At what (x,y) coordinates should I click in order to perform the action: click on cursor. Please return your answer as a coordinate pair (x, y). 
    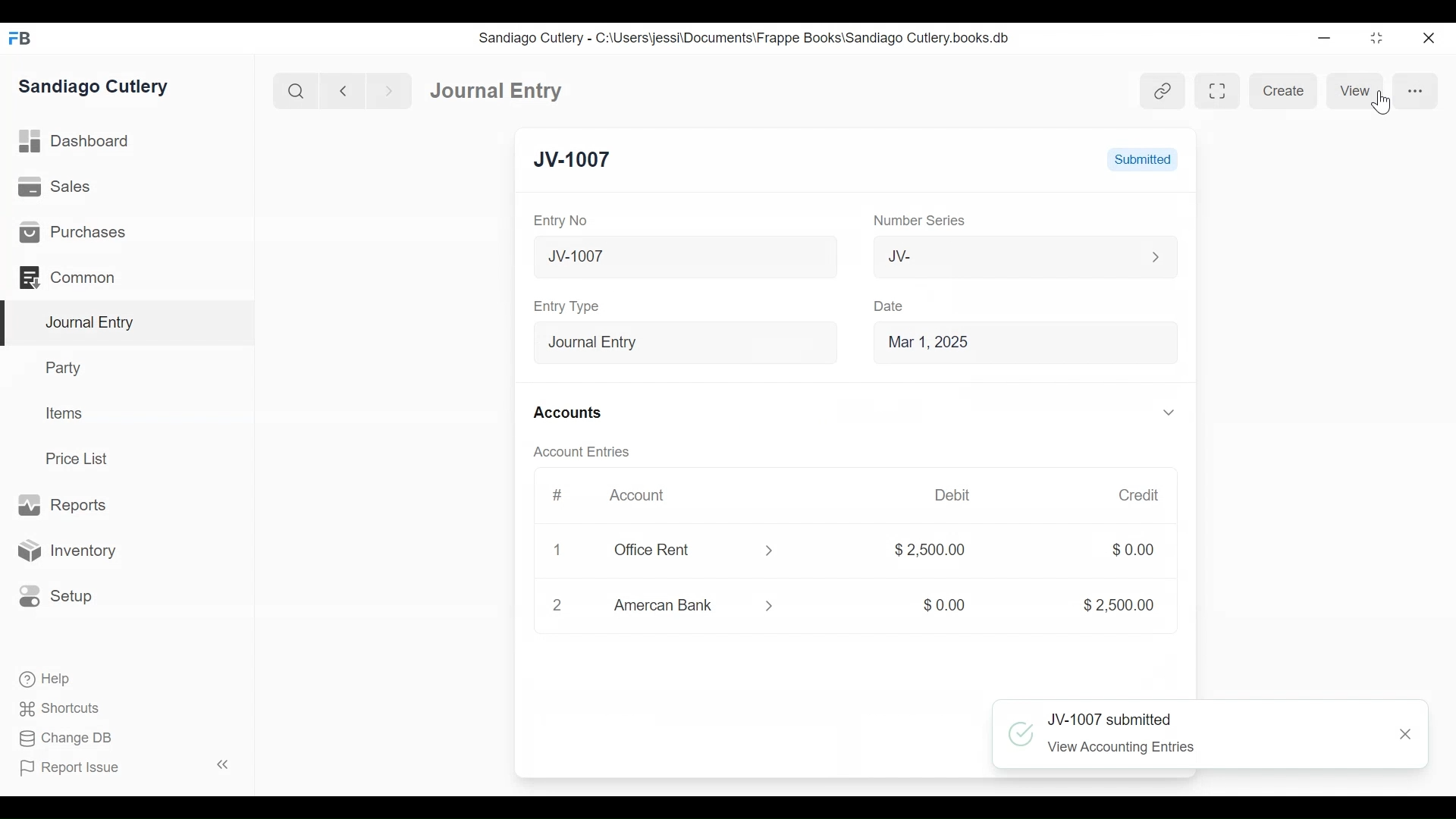
    Looking at the image, I should click on (1382, 104).